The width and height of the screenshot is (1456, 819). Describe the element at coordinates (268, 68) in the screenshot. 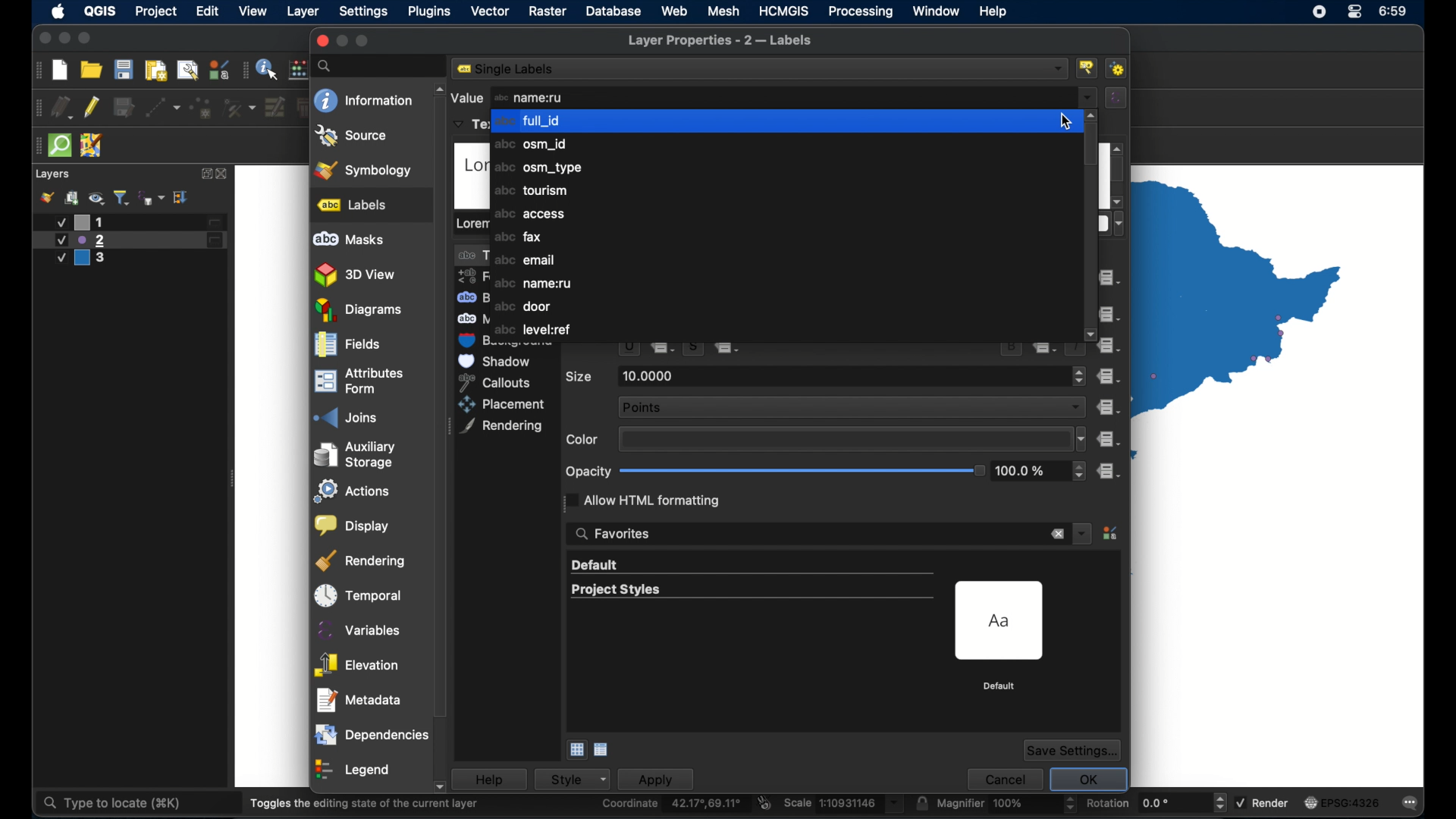

I see `identify feature` at that location.